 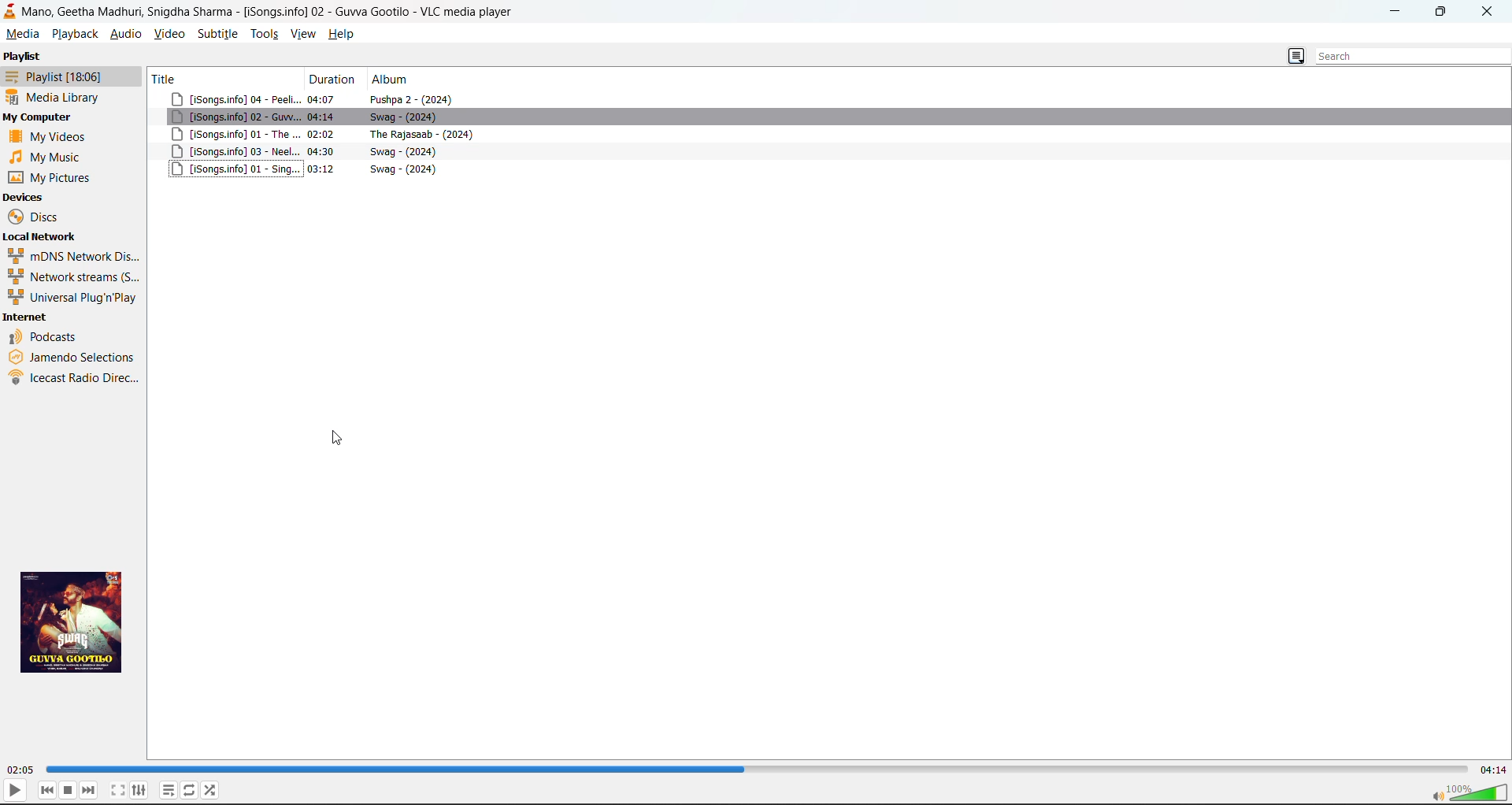 I want to click on network streams, so click(x=69, y=276).